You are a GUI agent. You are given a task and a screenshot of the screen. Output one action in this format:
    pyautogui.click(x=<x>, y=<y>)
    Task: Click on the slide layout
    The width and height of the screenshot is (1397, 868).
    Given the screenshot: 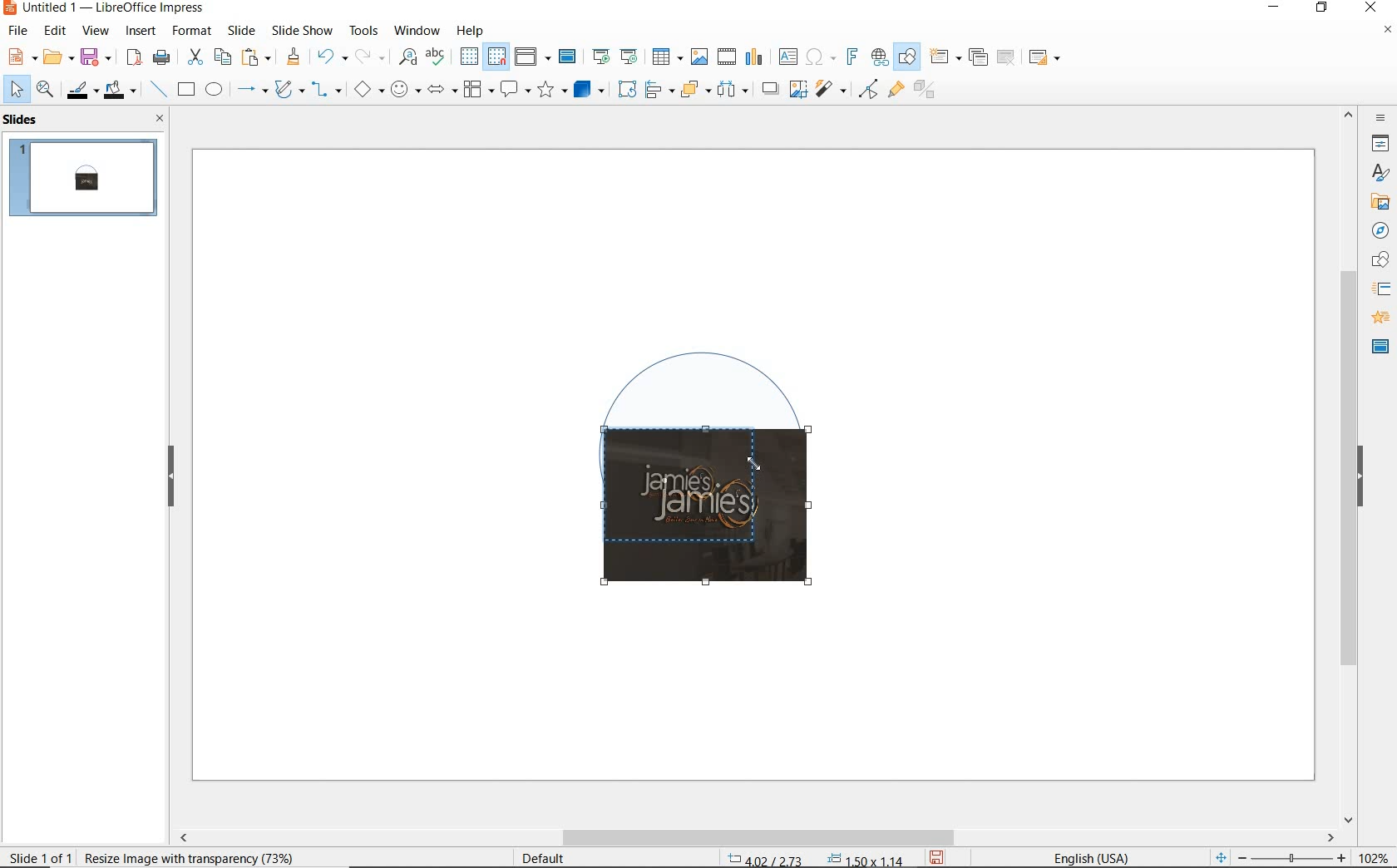 What is the action you would take?
    pyautogui.click(x=1045, y=58)
    